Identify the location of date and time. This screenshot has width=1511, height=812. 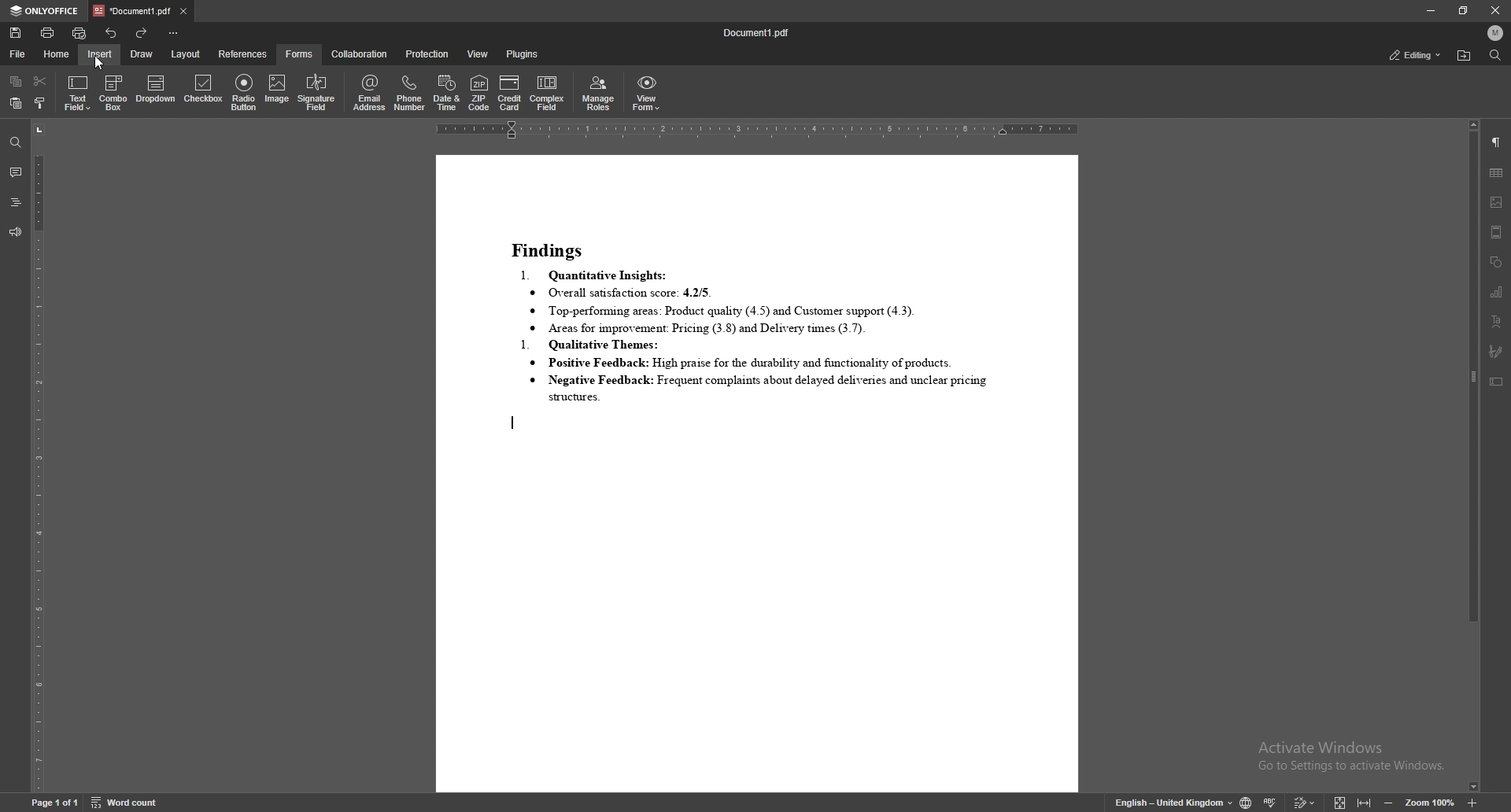
(447, 93).